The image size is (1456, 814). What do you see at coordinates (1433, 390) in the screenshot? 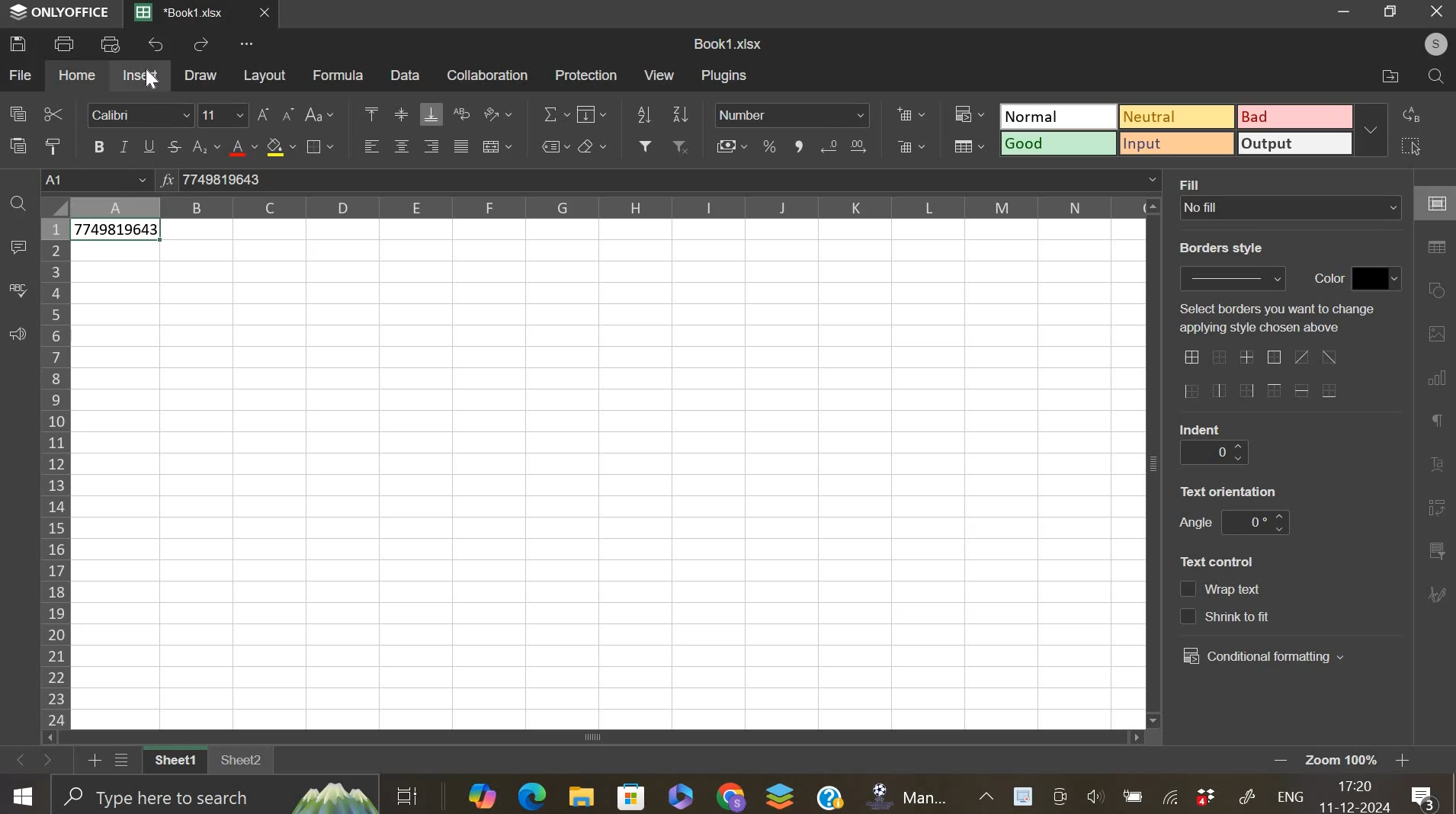
I see `right side bar` at bounding box center [1433, 390].